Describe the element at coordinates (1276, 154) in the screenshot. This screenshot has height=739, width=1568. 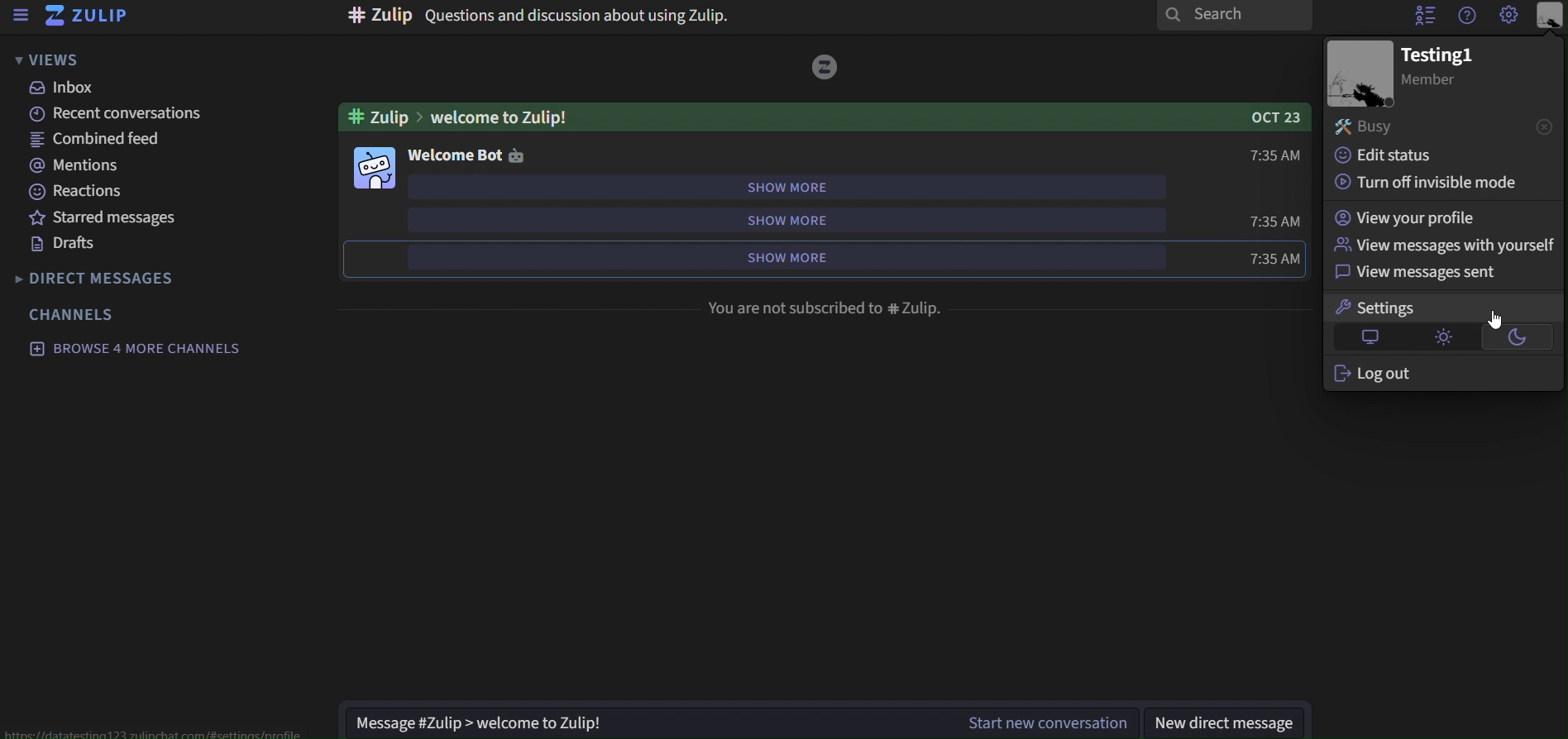
I see `7:35 AM` at that location.